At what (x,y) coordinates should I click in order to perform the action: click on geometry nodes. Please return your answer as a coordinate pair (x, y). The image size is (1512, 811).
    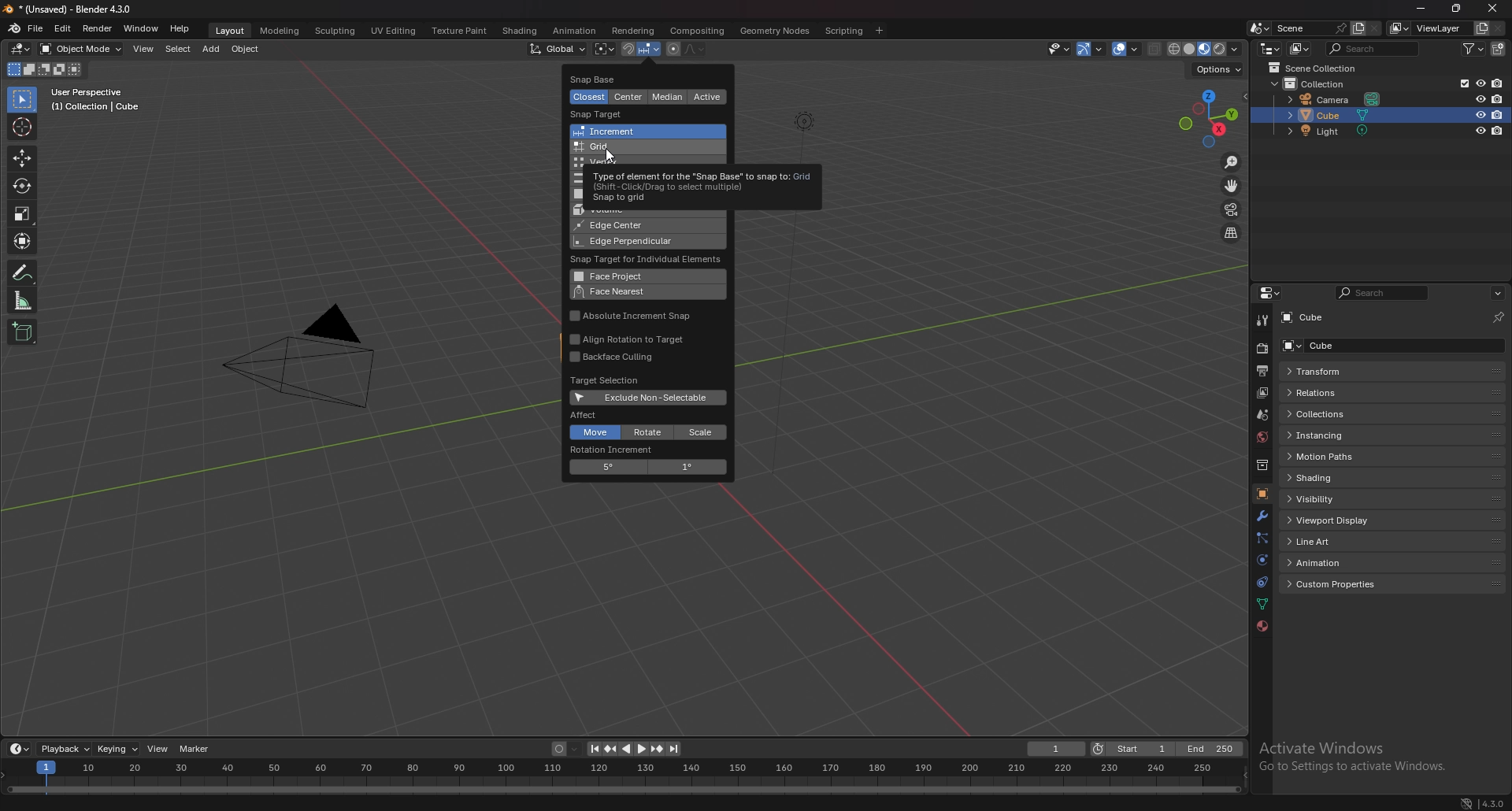
    Looking at the image, I should click on (776, 30).